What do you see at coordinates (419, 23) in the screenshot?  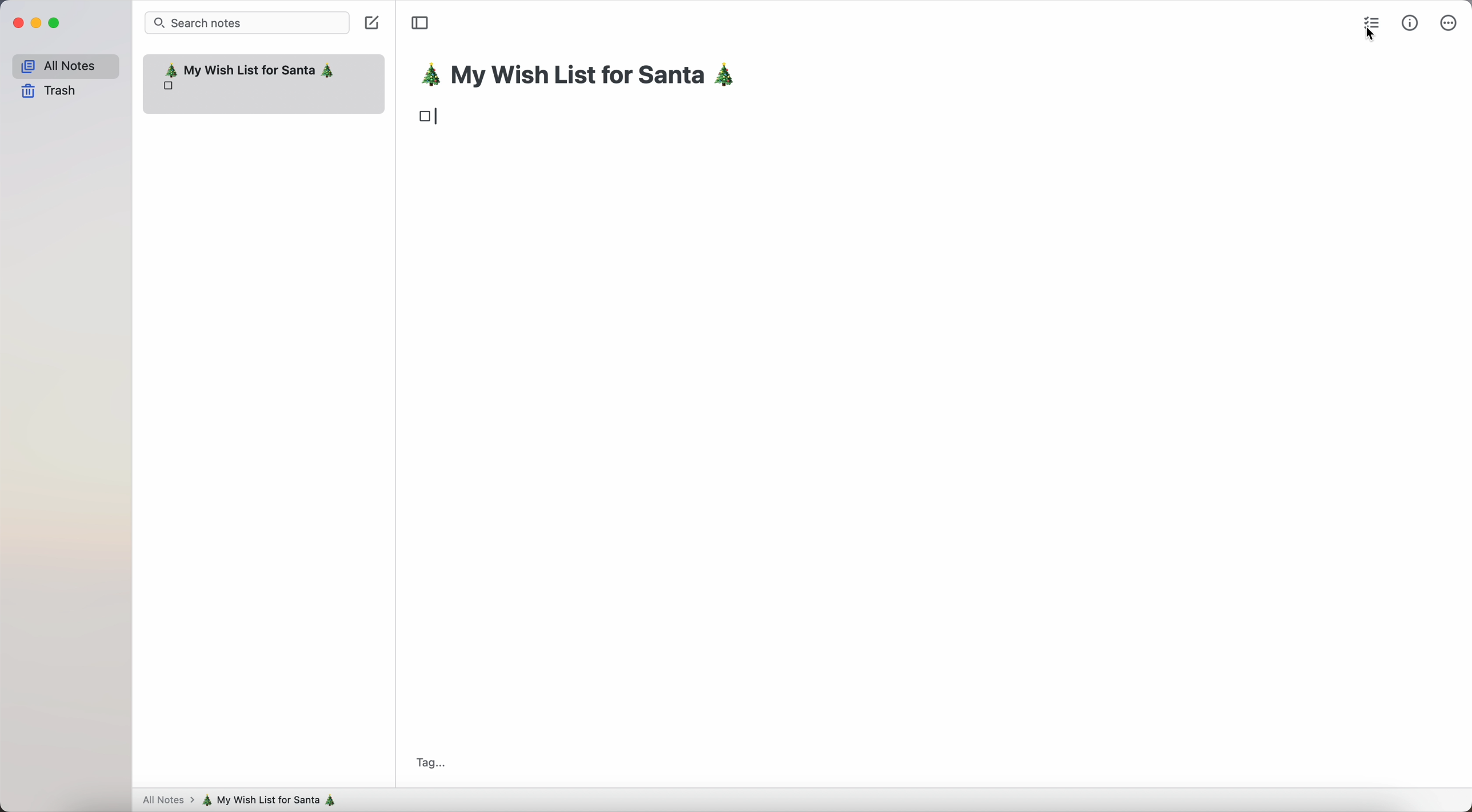 I see `toggle sidebar` at bounding box center [419, 23].